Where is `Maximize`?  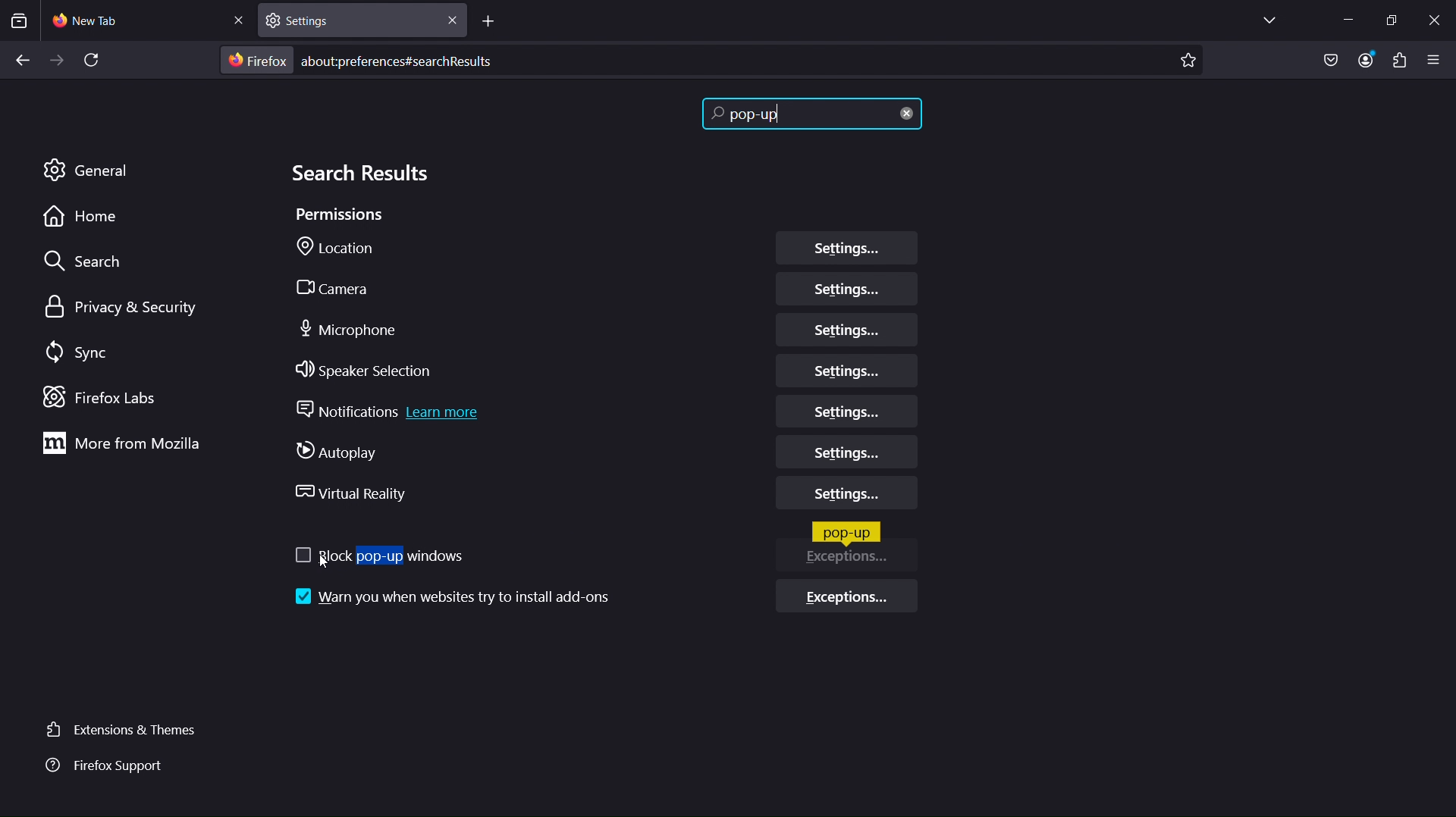
Maximize is located at coordinates (1395, 19).